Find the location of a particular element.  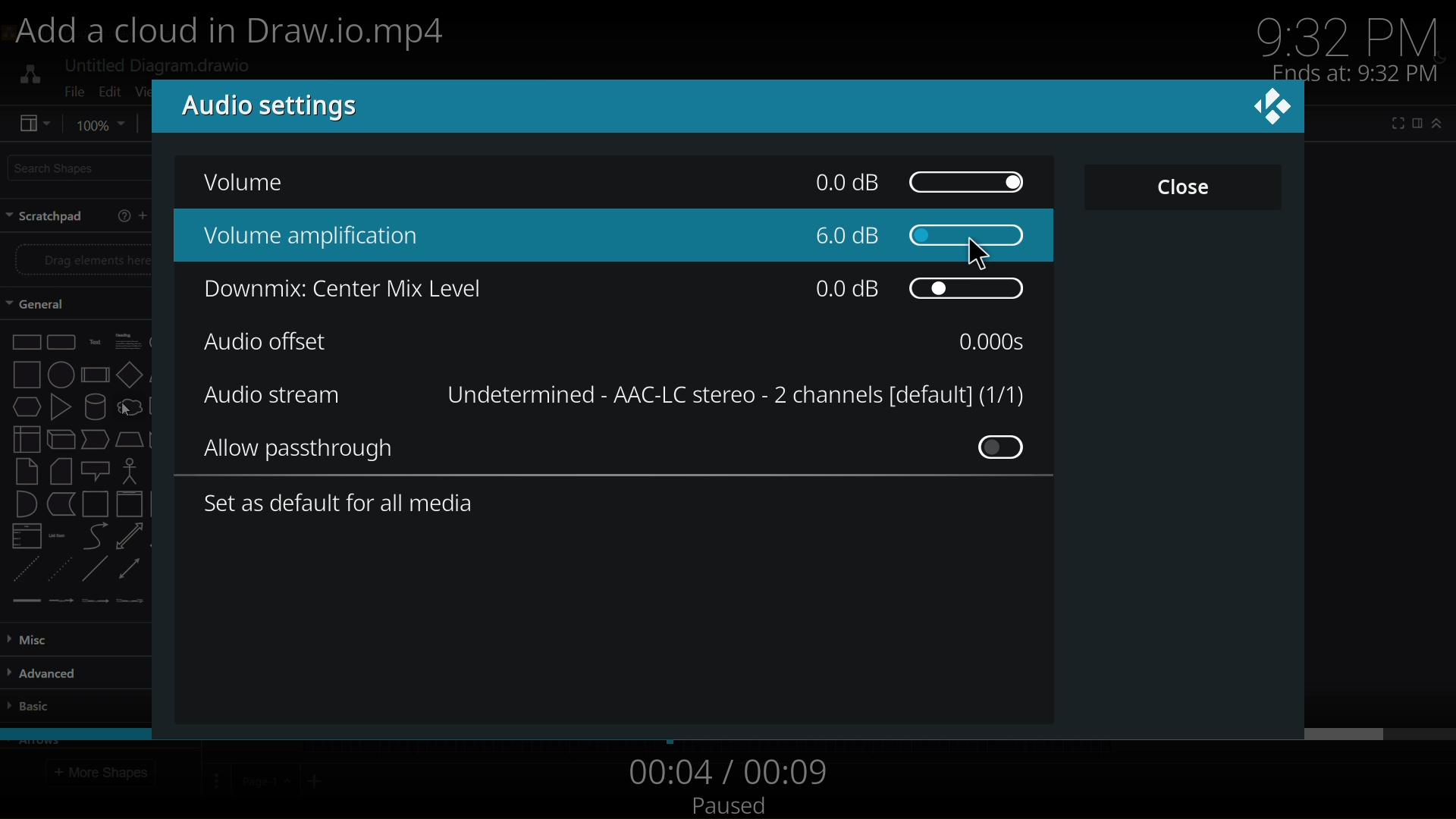

set as default for all media is located at coordinates (343, 507).